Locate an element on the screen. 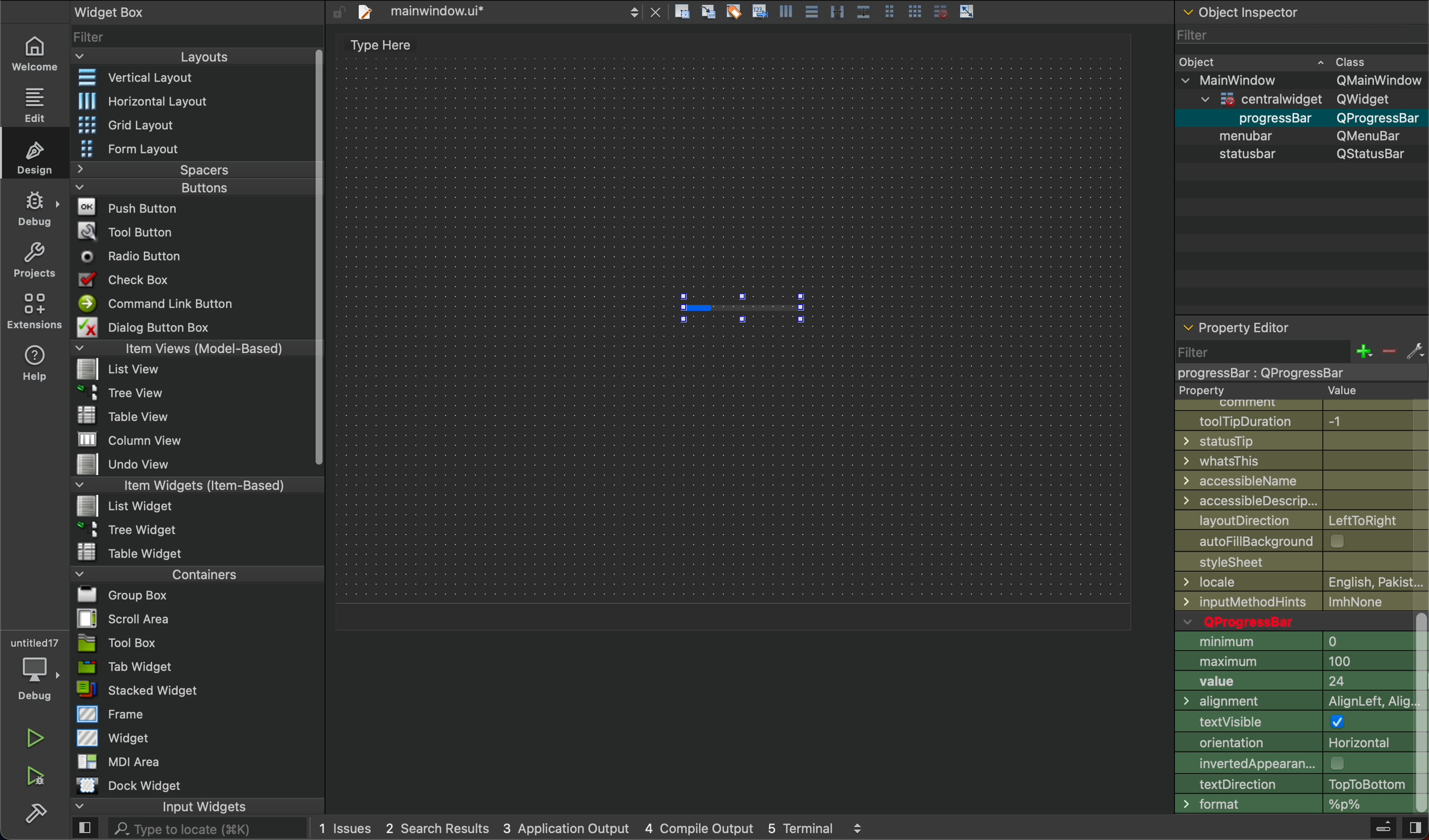 Image resolution: width=1429 pixels, height=840 pixels. locale is located at coordinates (1302, 582).